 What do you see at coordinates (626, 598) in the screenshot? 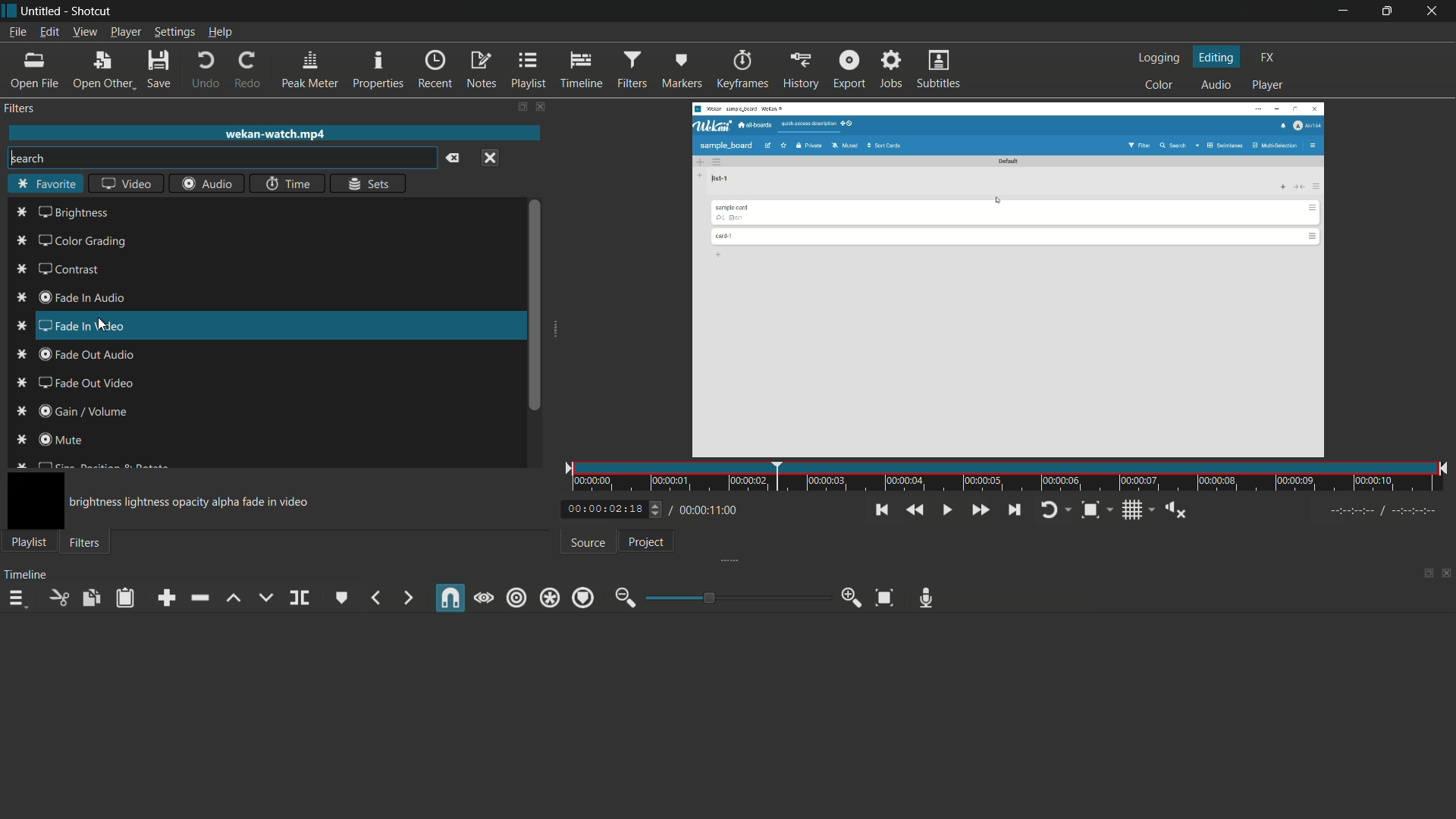
I see `zoom out` at bounding box center [626, 598].